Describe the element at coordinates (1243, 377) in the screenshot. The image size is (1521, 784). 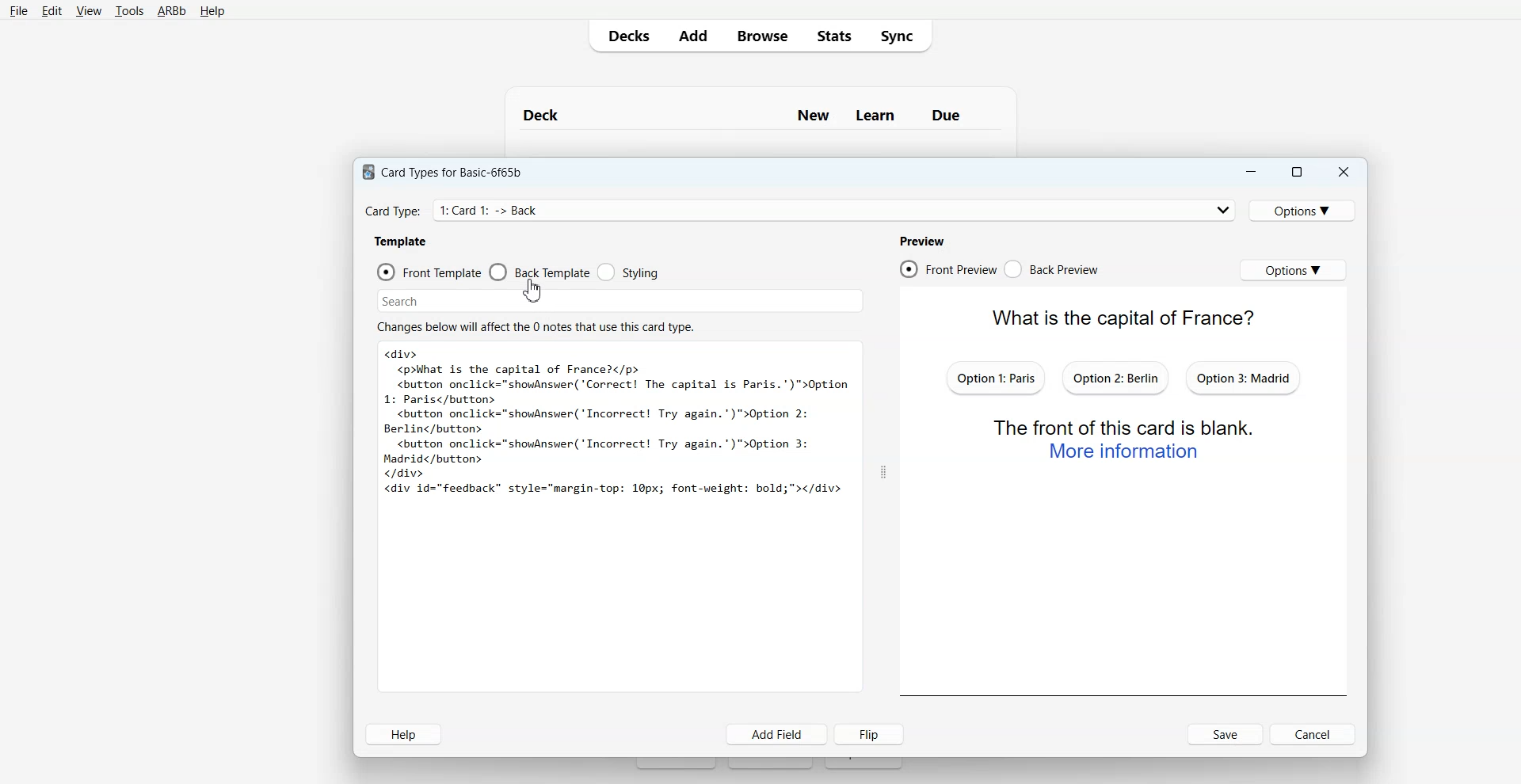
I see `Option 3: Madrid` at that location.